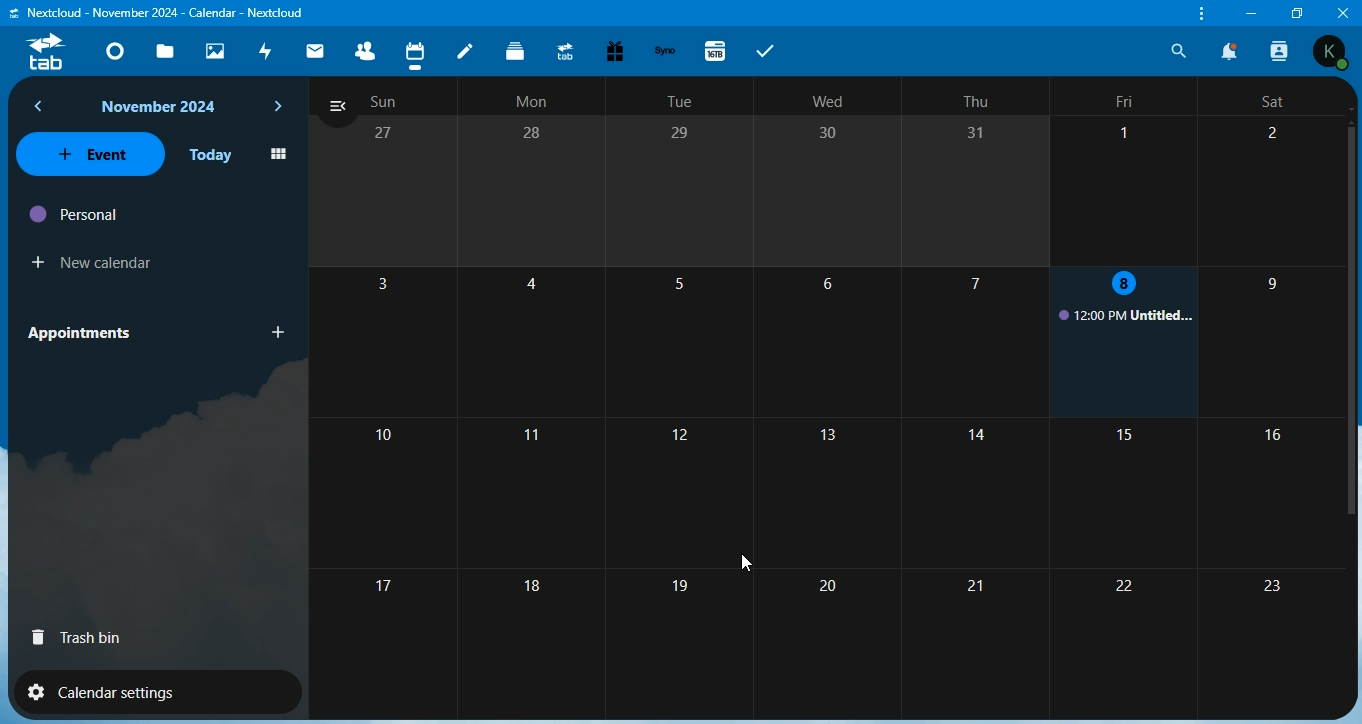 Image resolution: width=1362 pixels, height=724 pixels. I want to click on new calendar, so click(93, 262).